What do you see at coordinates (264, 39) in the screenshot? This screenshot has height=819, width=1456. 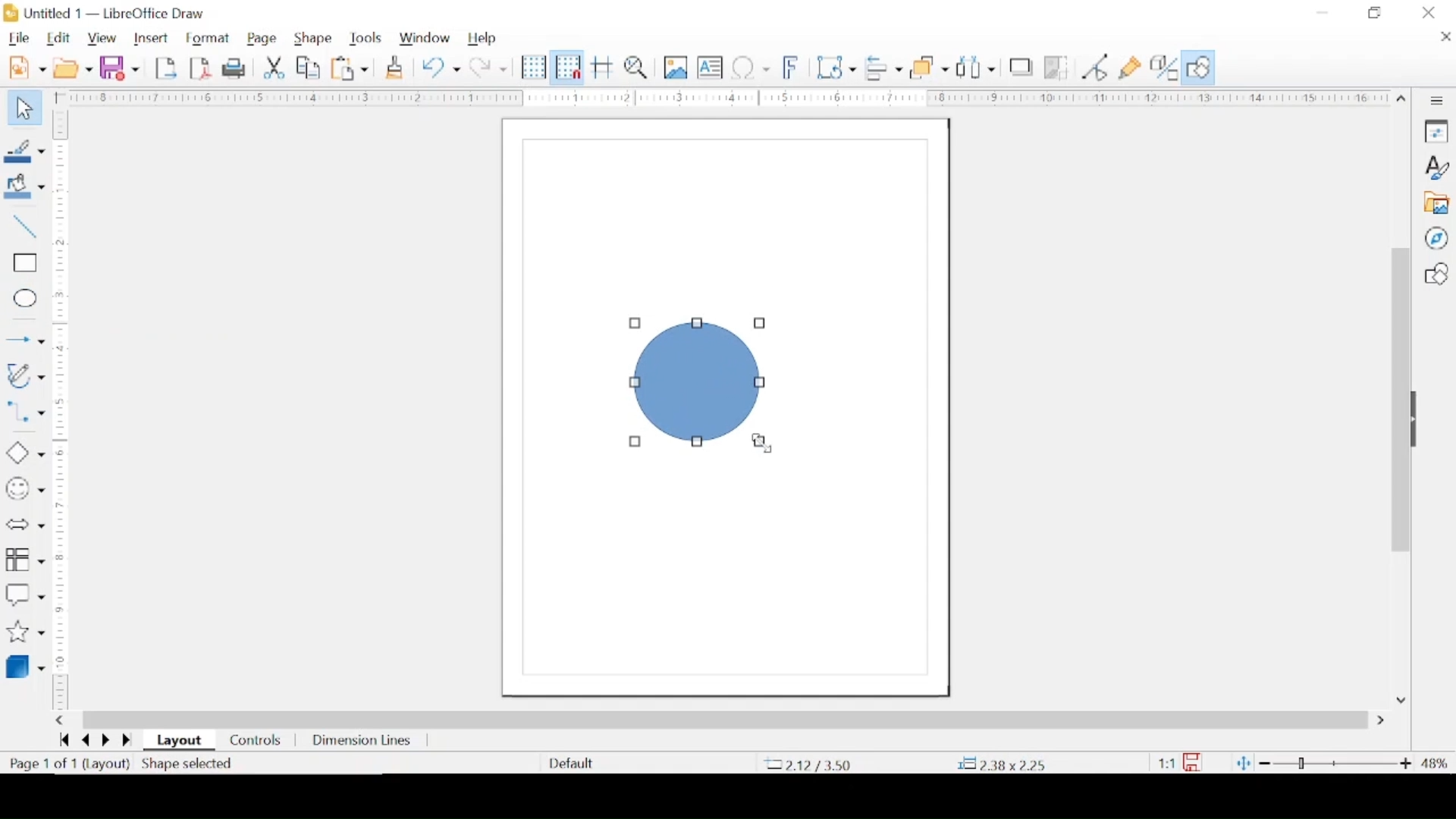 I see `page` at bounding box center [264, 39].